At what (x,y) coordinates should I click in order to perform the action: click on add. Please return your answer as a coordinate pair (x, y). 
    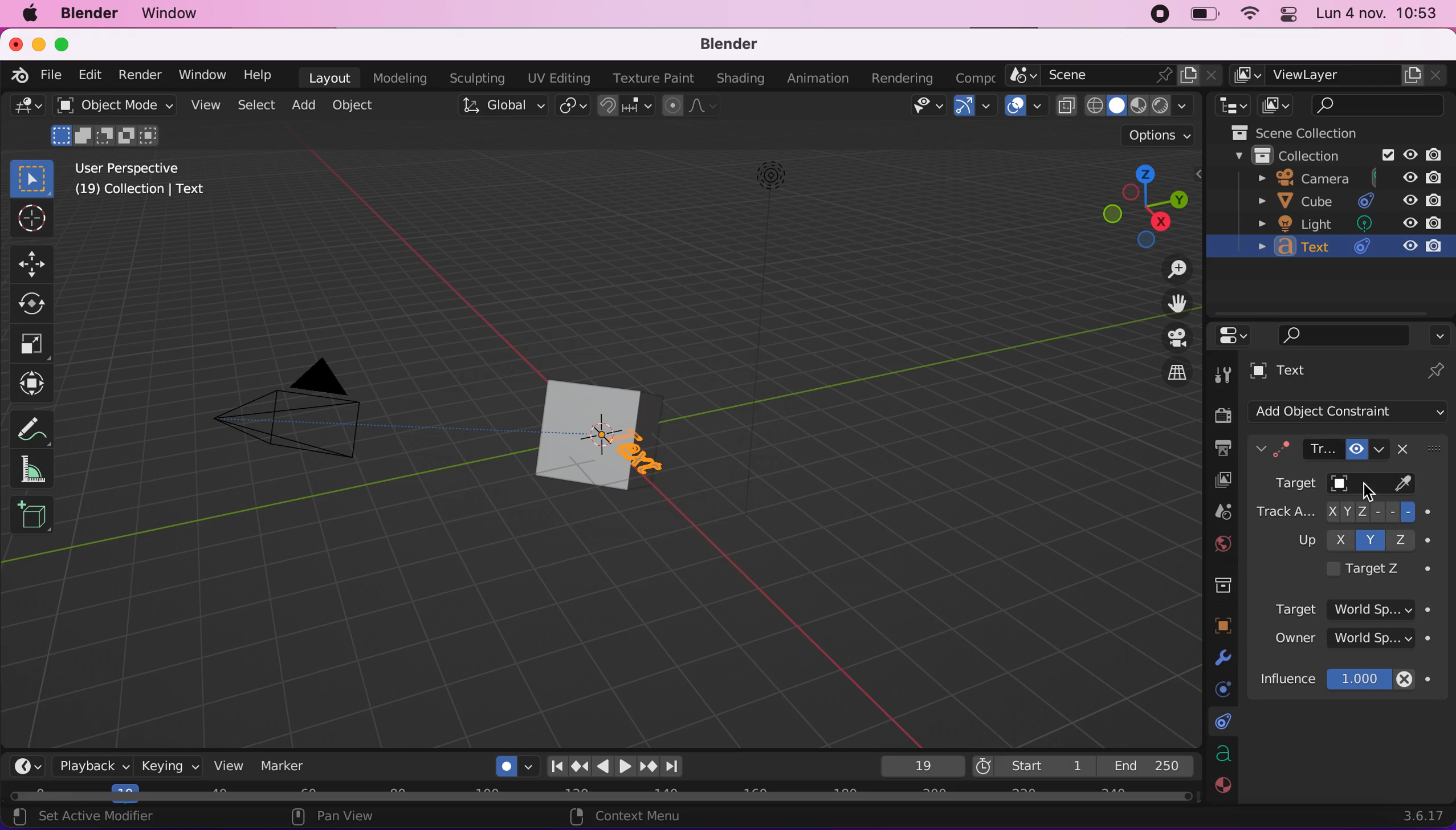
    Looking at the image, I should click on (307, 107).